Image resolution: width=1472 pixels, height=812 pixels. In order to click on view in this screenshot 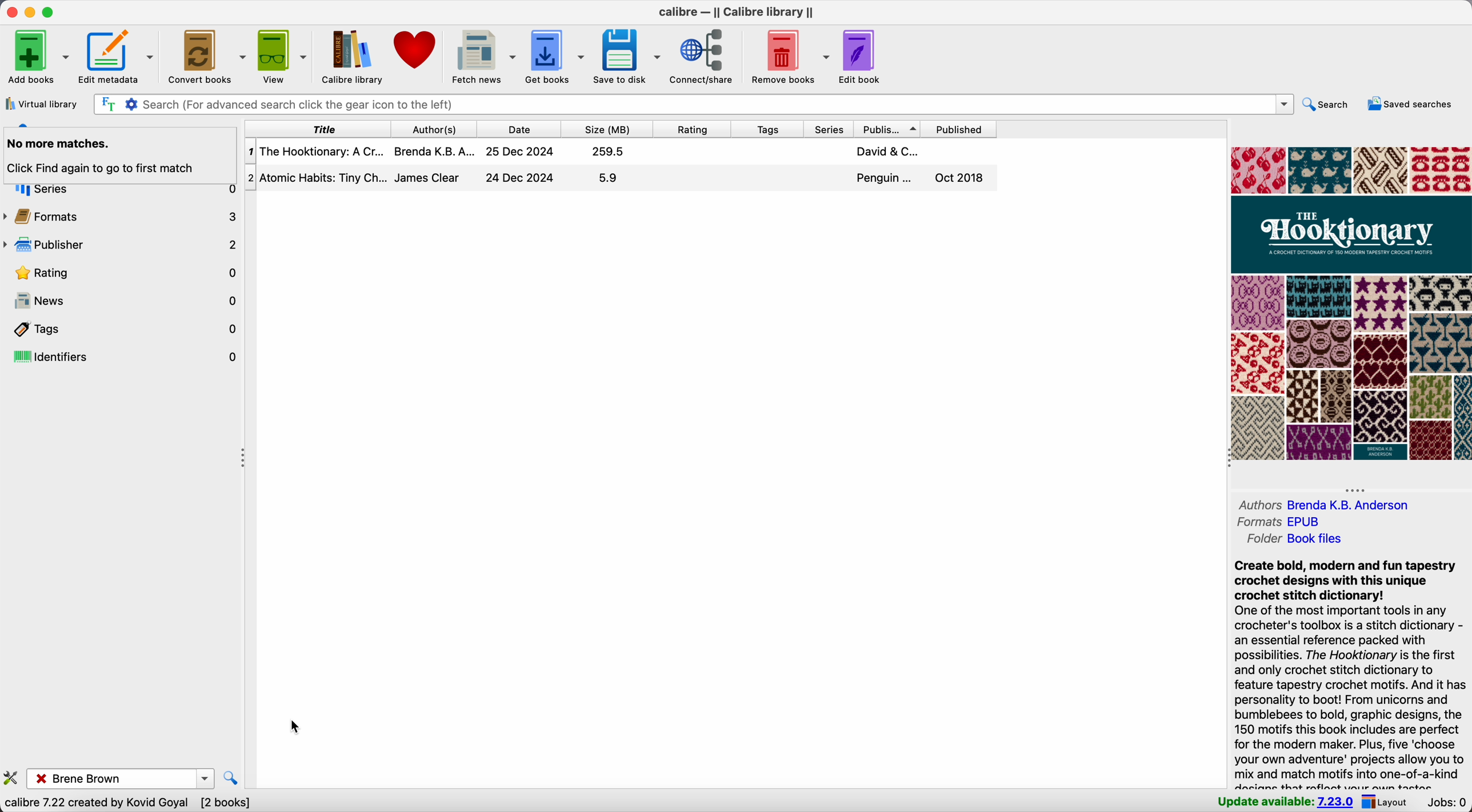, I will do `click(283, 54)`.